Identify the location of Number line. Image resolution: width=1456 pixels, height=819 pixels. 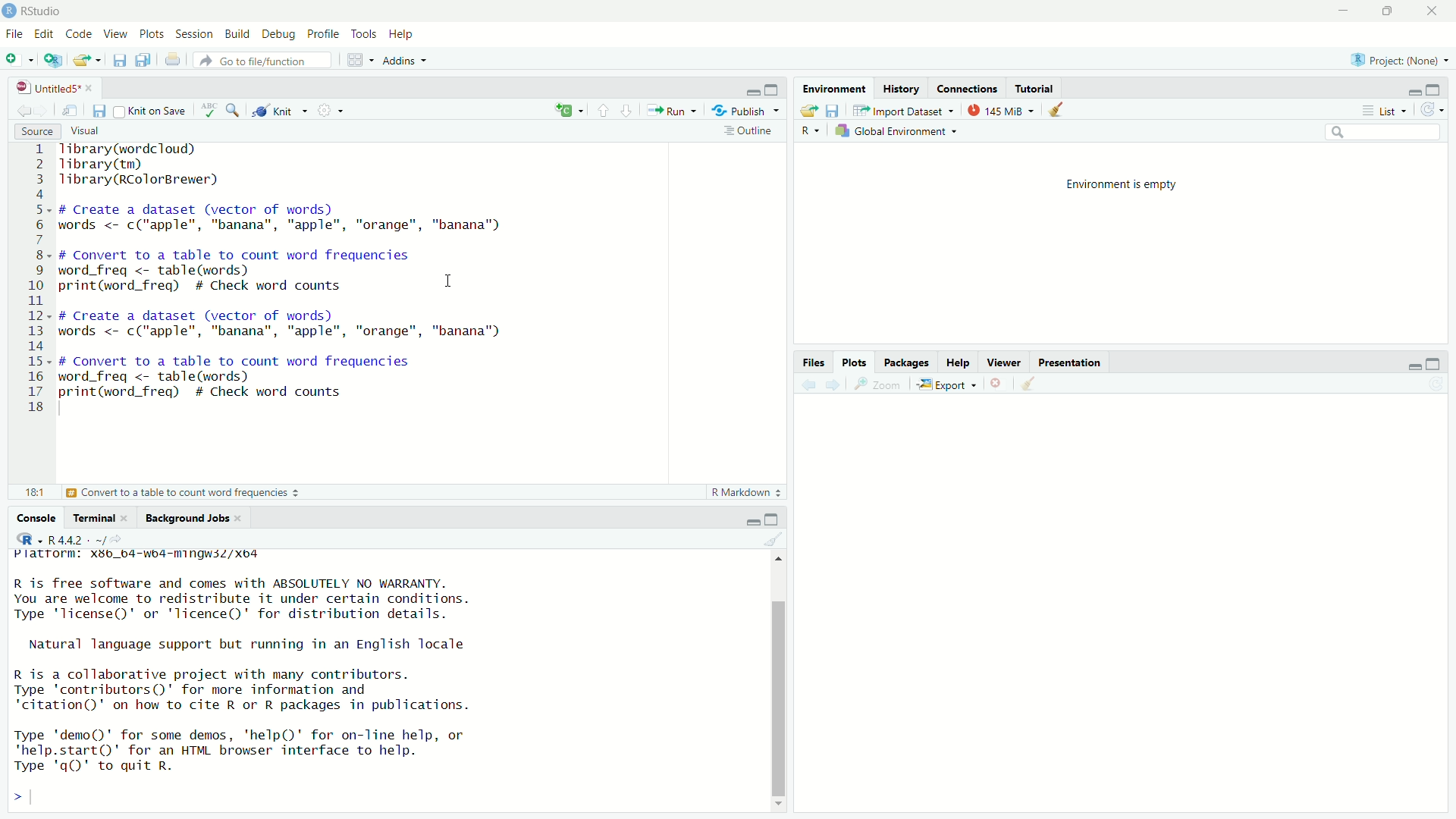
(36, 279).